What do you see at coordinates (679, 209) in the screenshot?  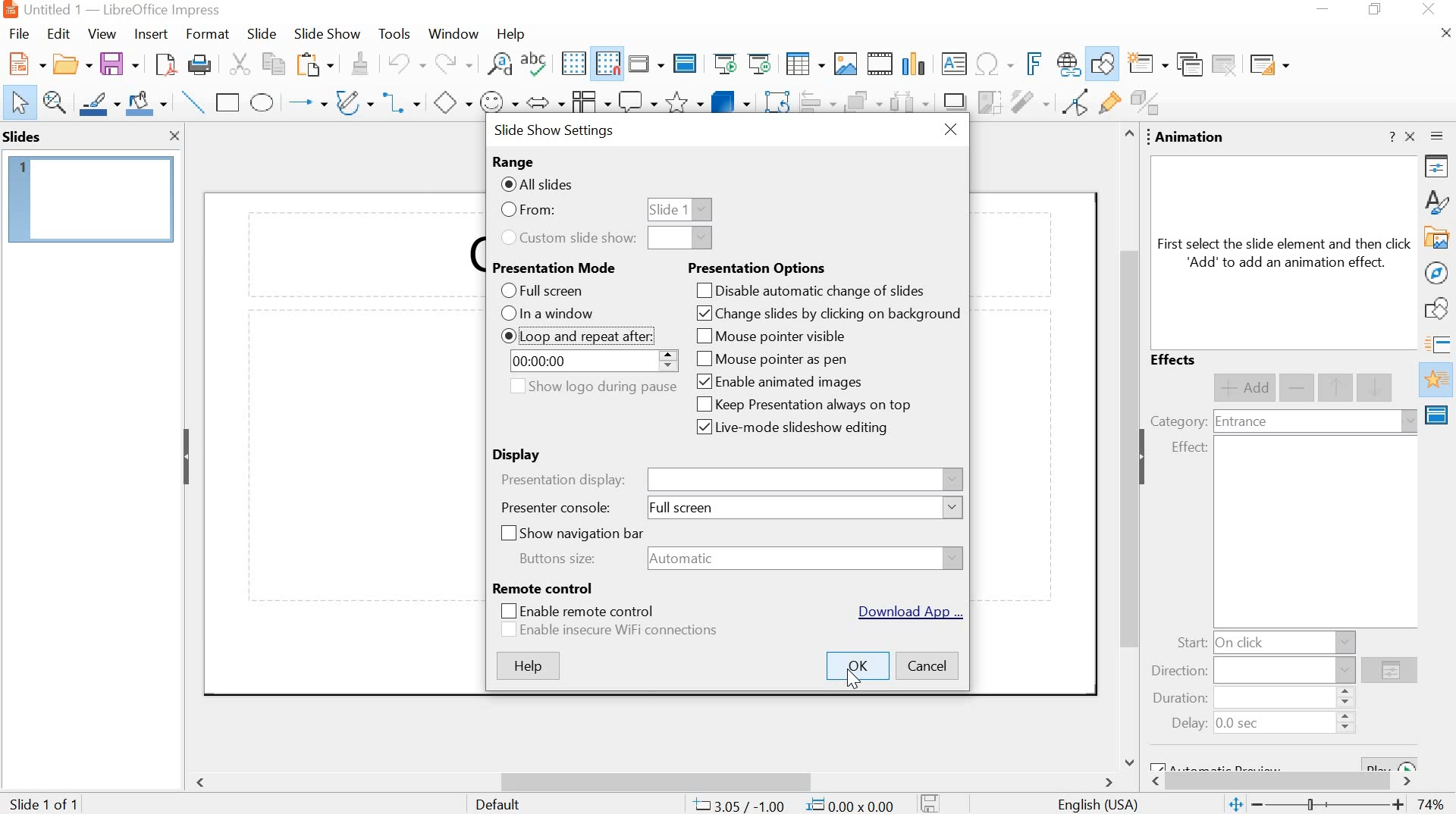 I see `slide 1` at bounding box center [679, 209].